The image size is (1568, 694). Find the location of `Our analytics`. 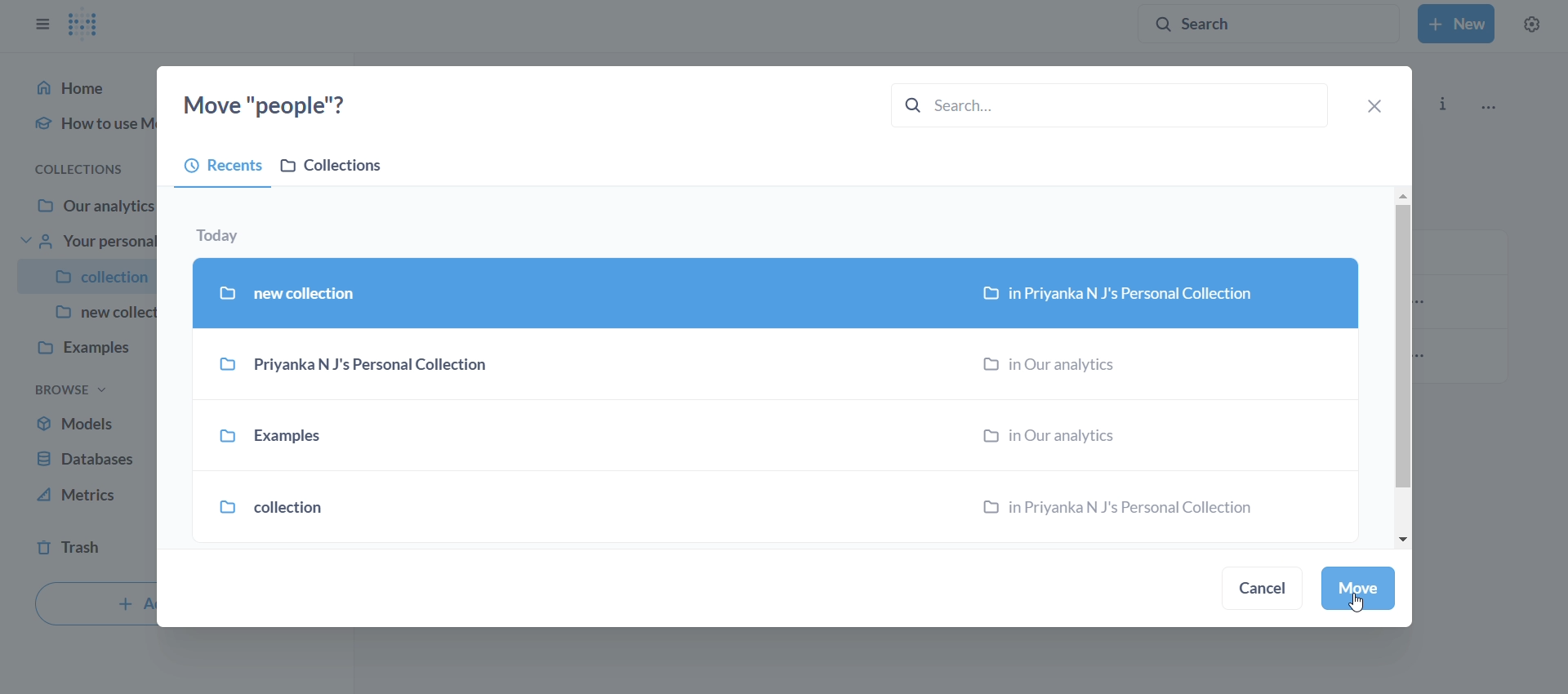

Our analytics is located at coordinates (87, 205).